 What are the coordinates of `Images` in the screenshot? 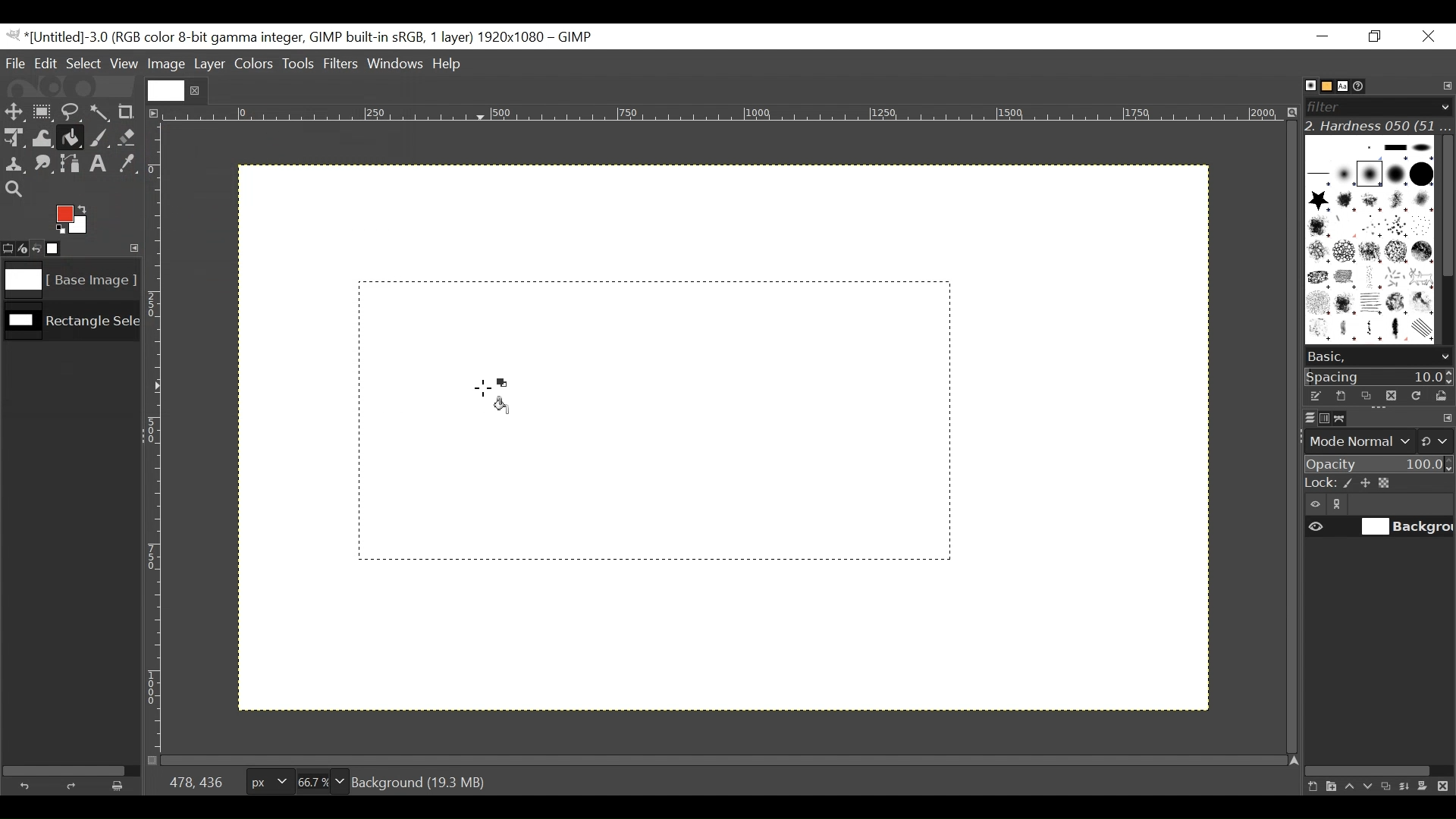 It's located at (63, 249).